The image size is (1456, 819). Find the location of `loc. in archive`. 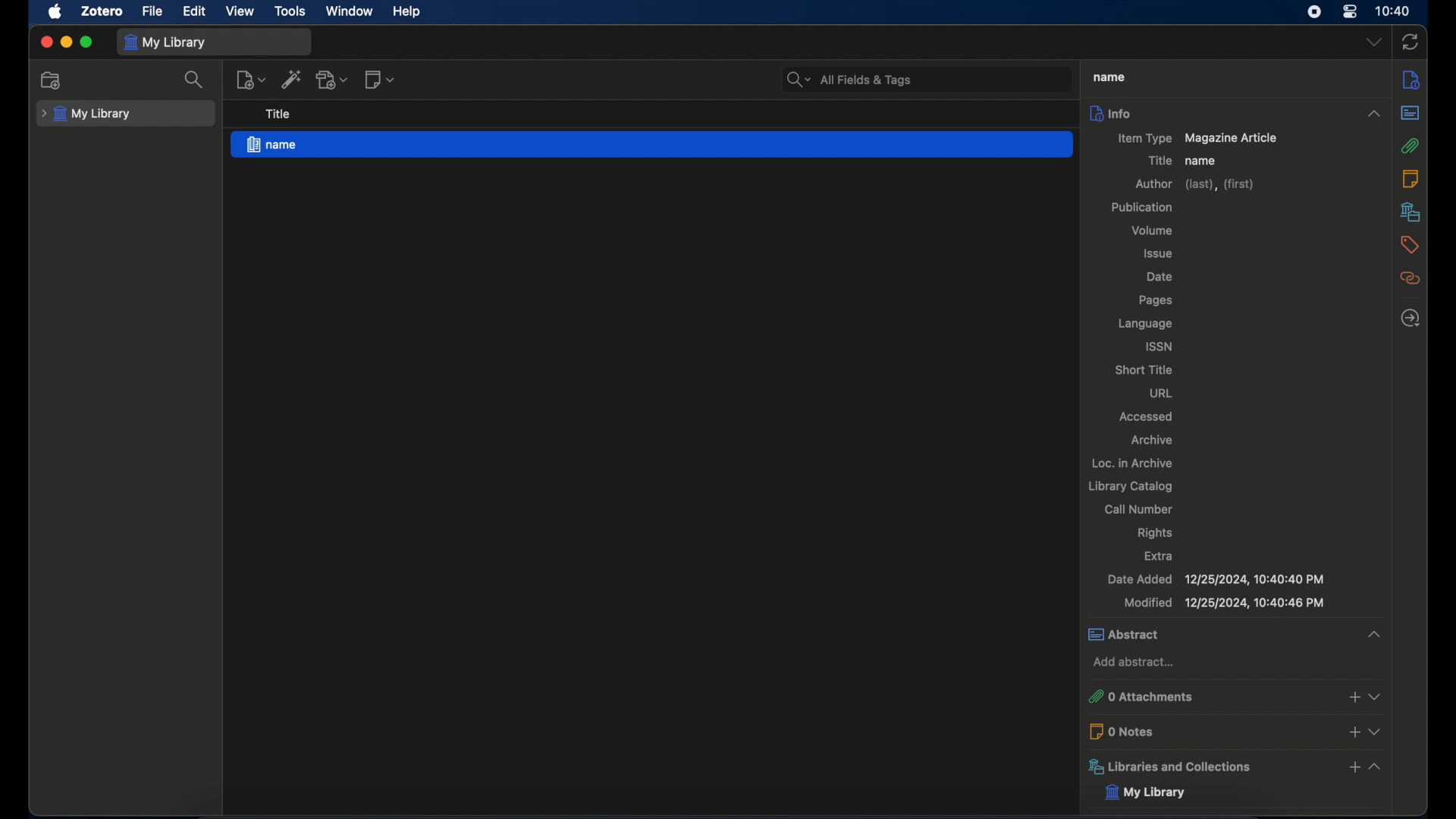

loc. in archive is located at coordinates (1131, 462).